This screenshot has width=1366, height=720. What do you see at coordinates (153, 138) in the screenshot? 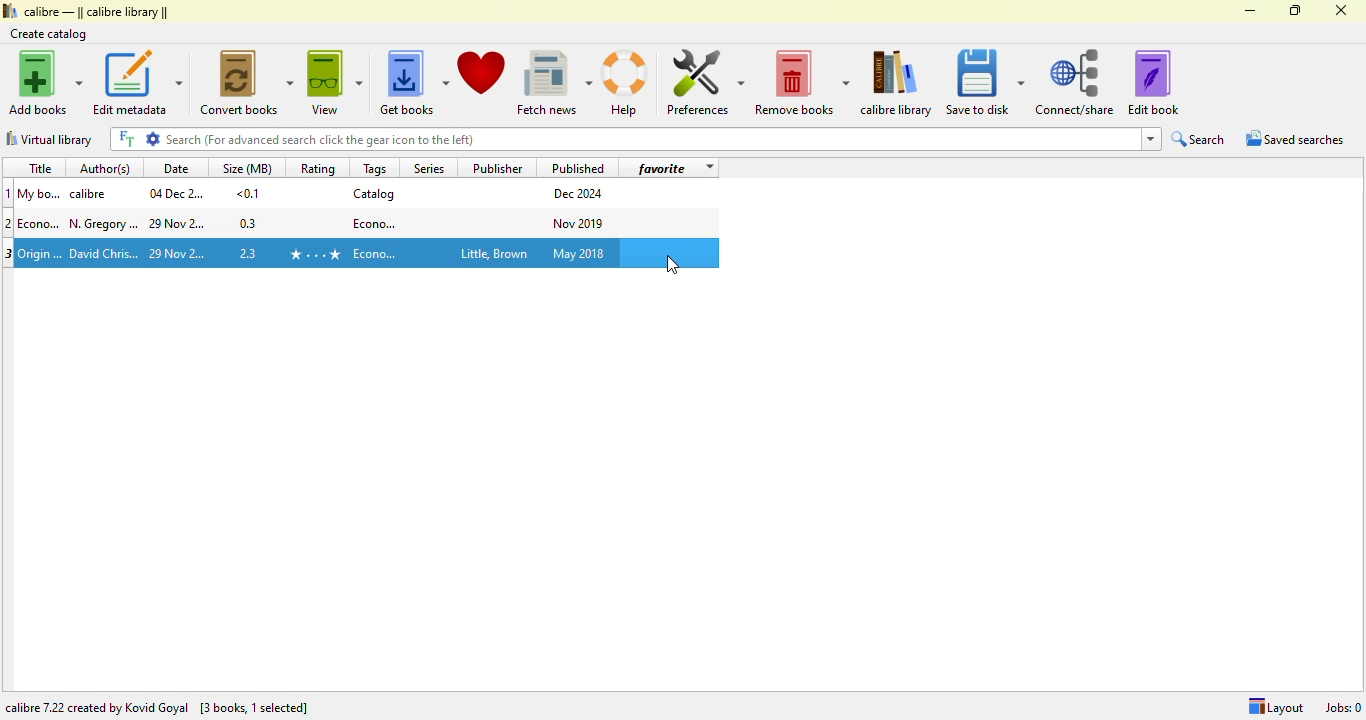
I see `settings` at bounding box center [153, 138].